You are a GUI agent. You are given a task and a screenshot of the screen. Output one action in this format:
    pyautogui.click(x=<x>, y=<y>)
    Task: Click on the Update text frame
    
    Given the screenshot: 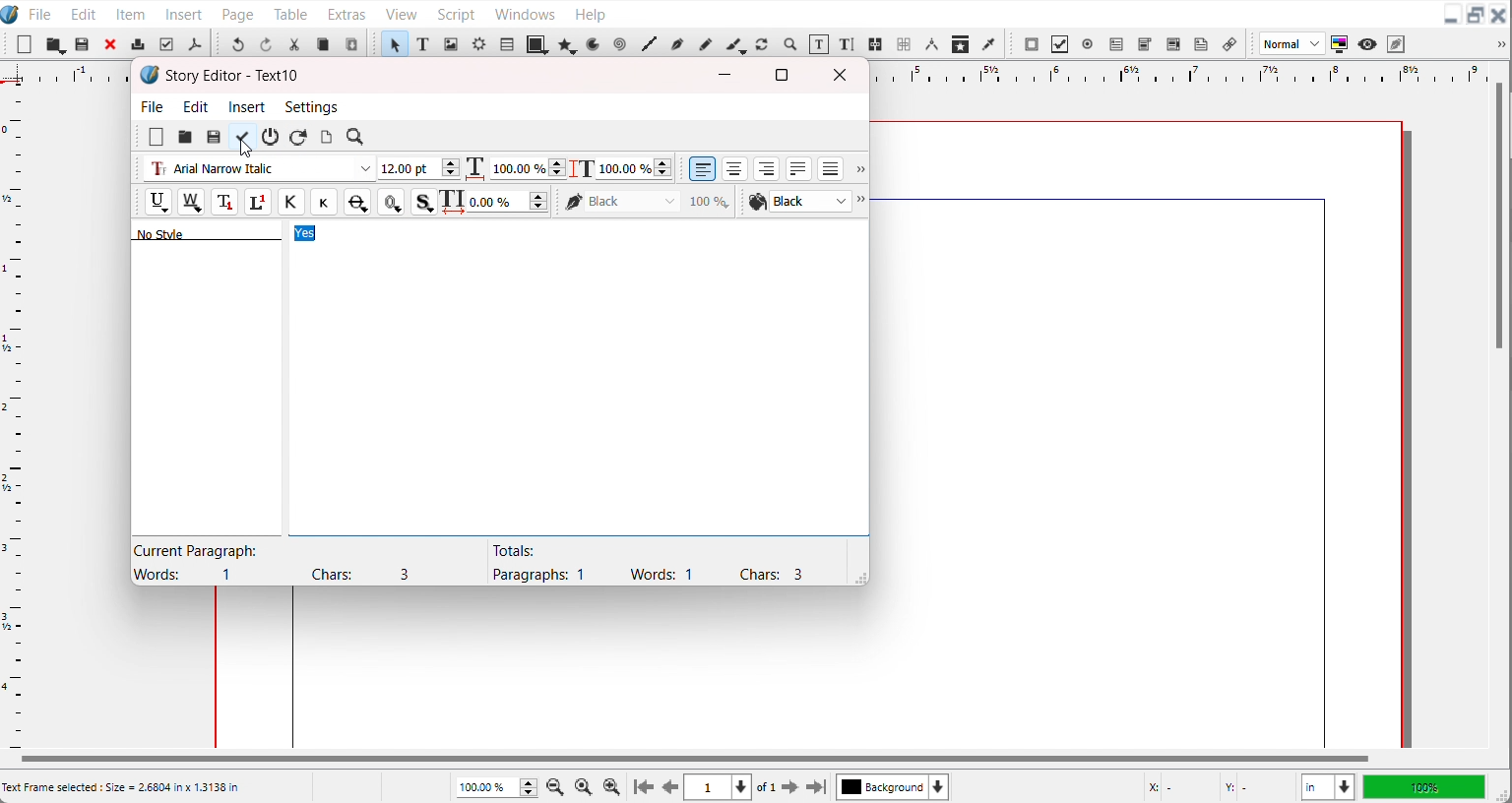 What is the action you would take?
    pyautogui.click(x=326, y=137)
    